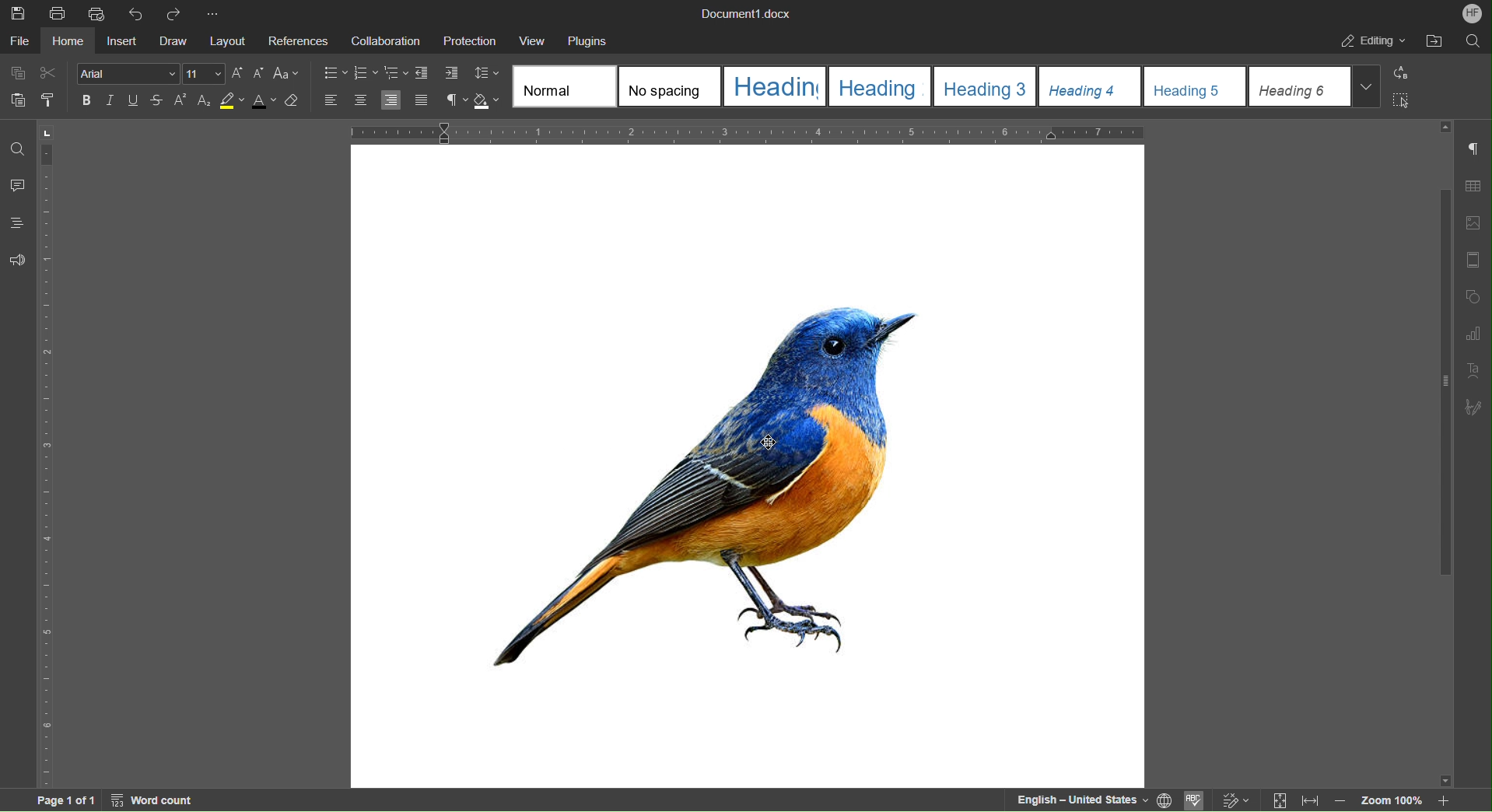 This screenshot has height=812, width=1492. I want to click on Normal, so click(566, 86).